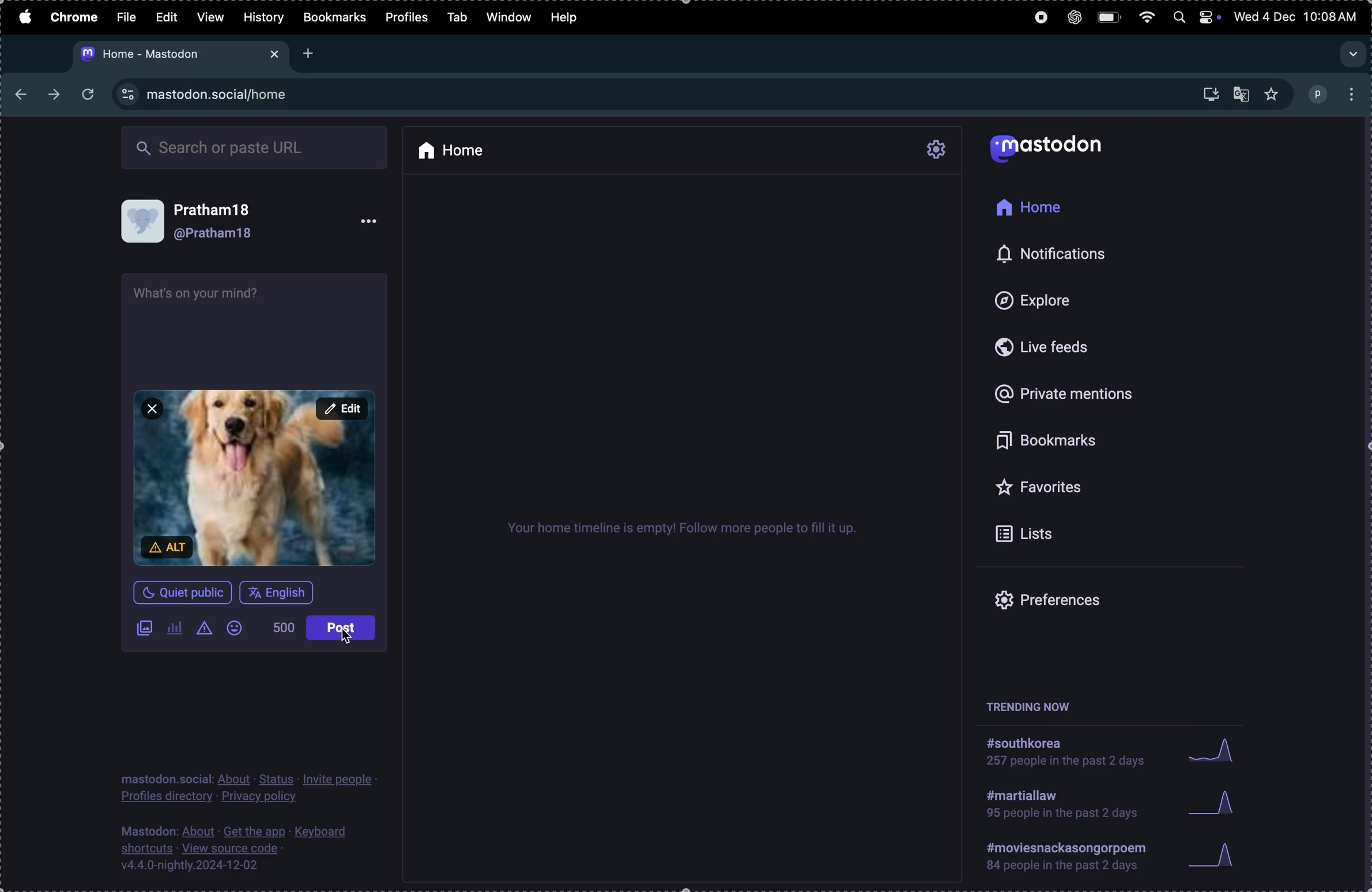 The width and height of the screenshot is (1372, 892). I want to click on What's on your mind, so click(203, 296).